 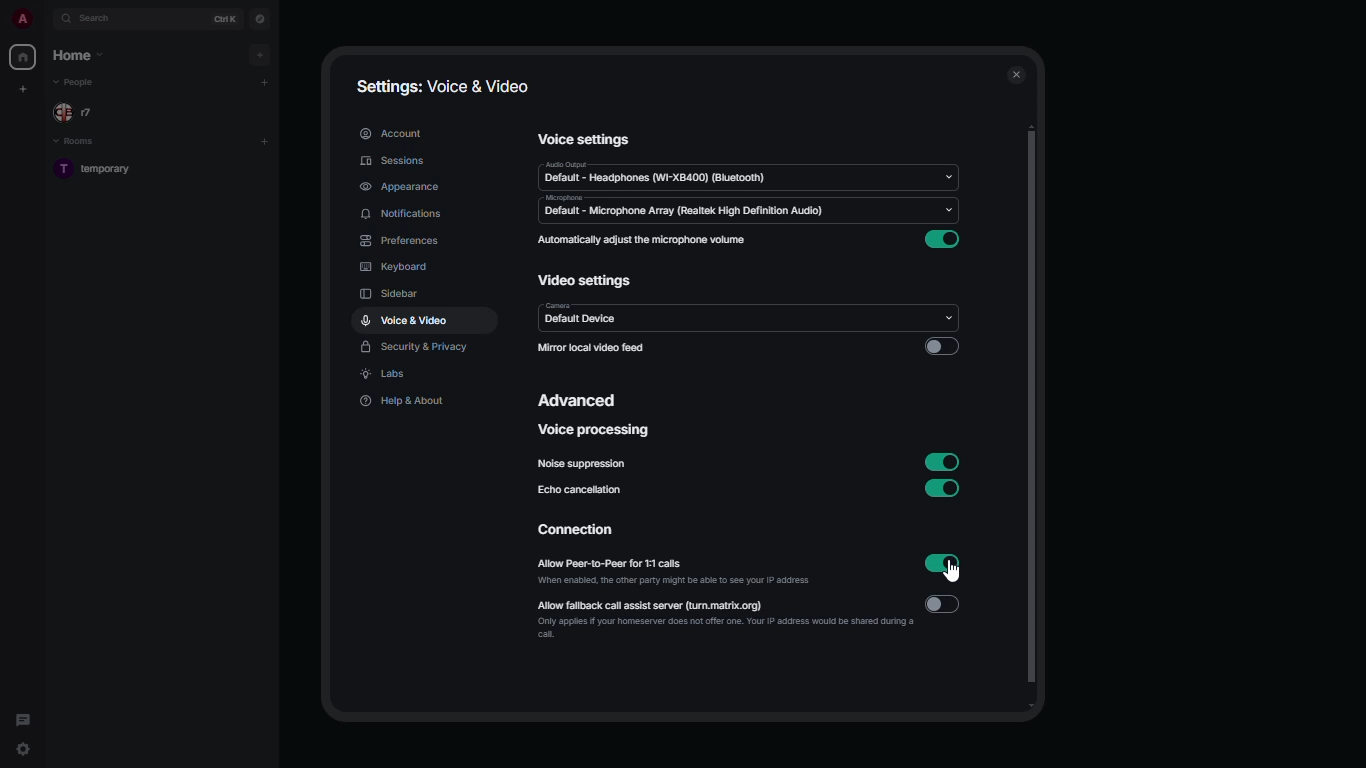 What do you see at coordinates (390, 133) in the screenshot?
I see `account` at bounding box center [390, 133].